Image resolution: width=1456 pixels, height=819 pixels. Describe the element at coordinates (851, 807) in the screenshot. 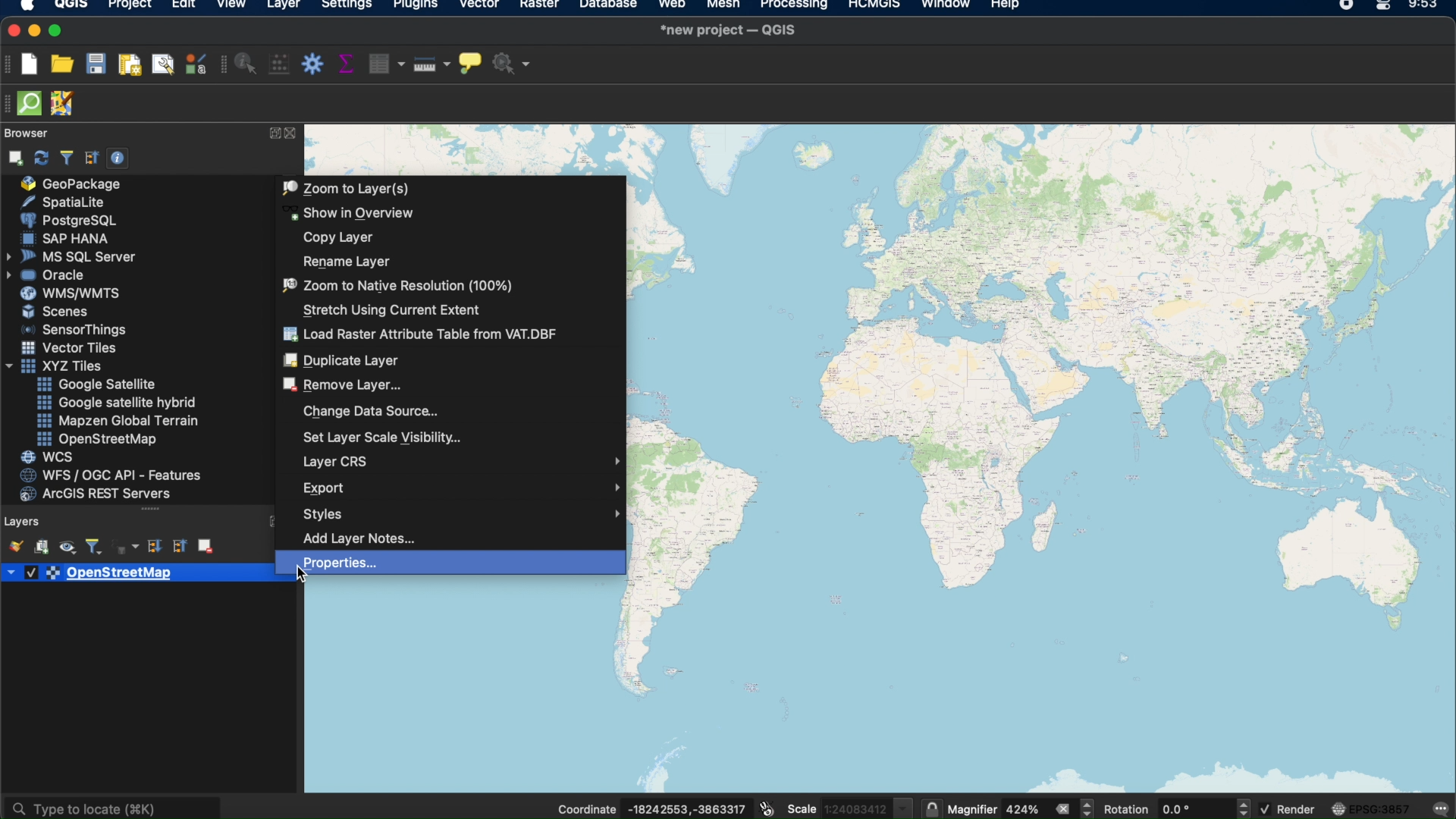

I see `scale` at that location.